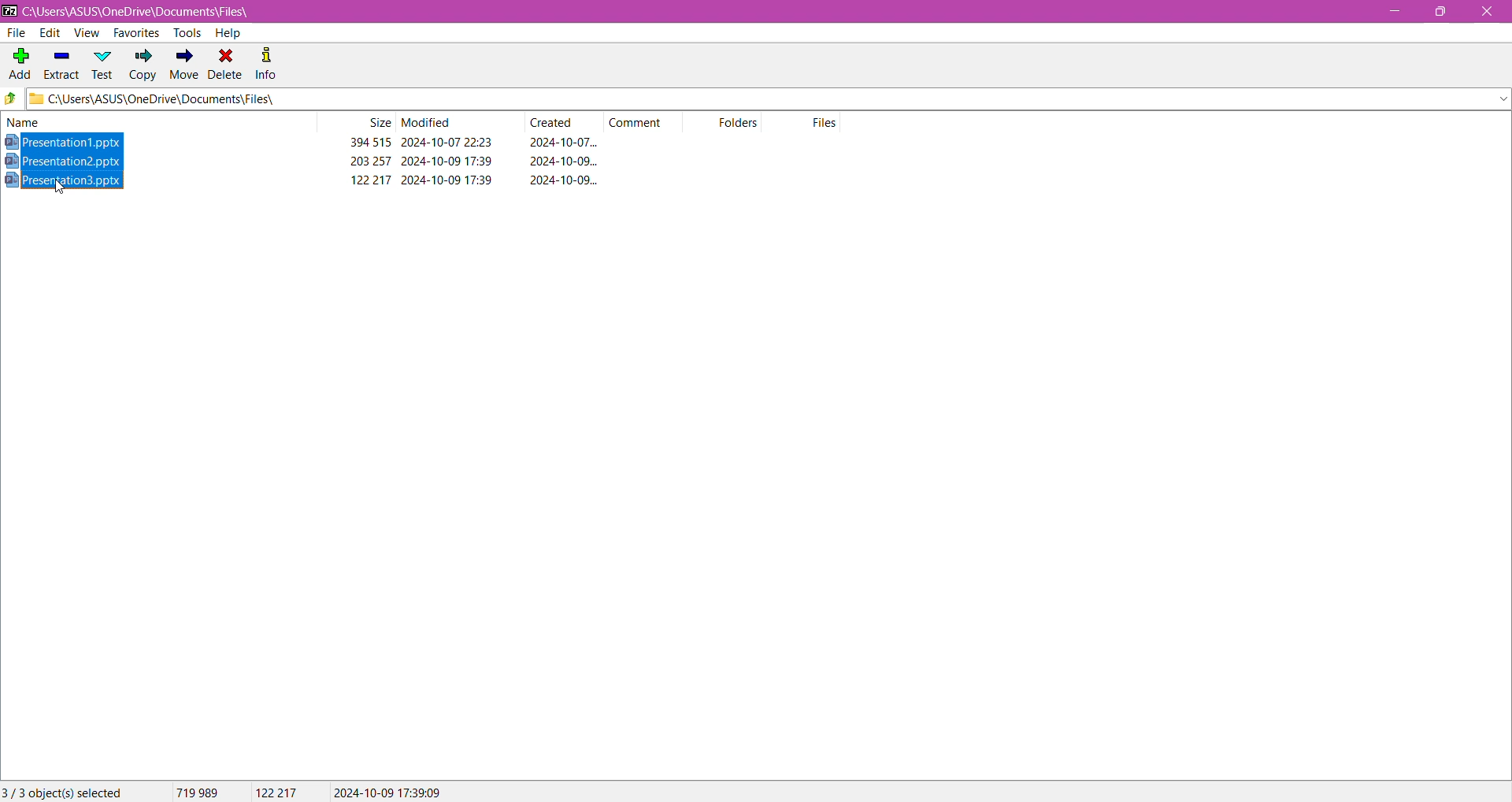 The image size is (1512, 802). Describe the element at coordinates (150, 12) in the screenshot. I see `C:\Users\ASUS\OneDrive\Documents\Files\` at that location.